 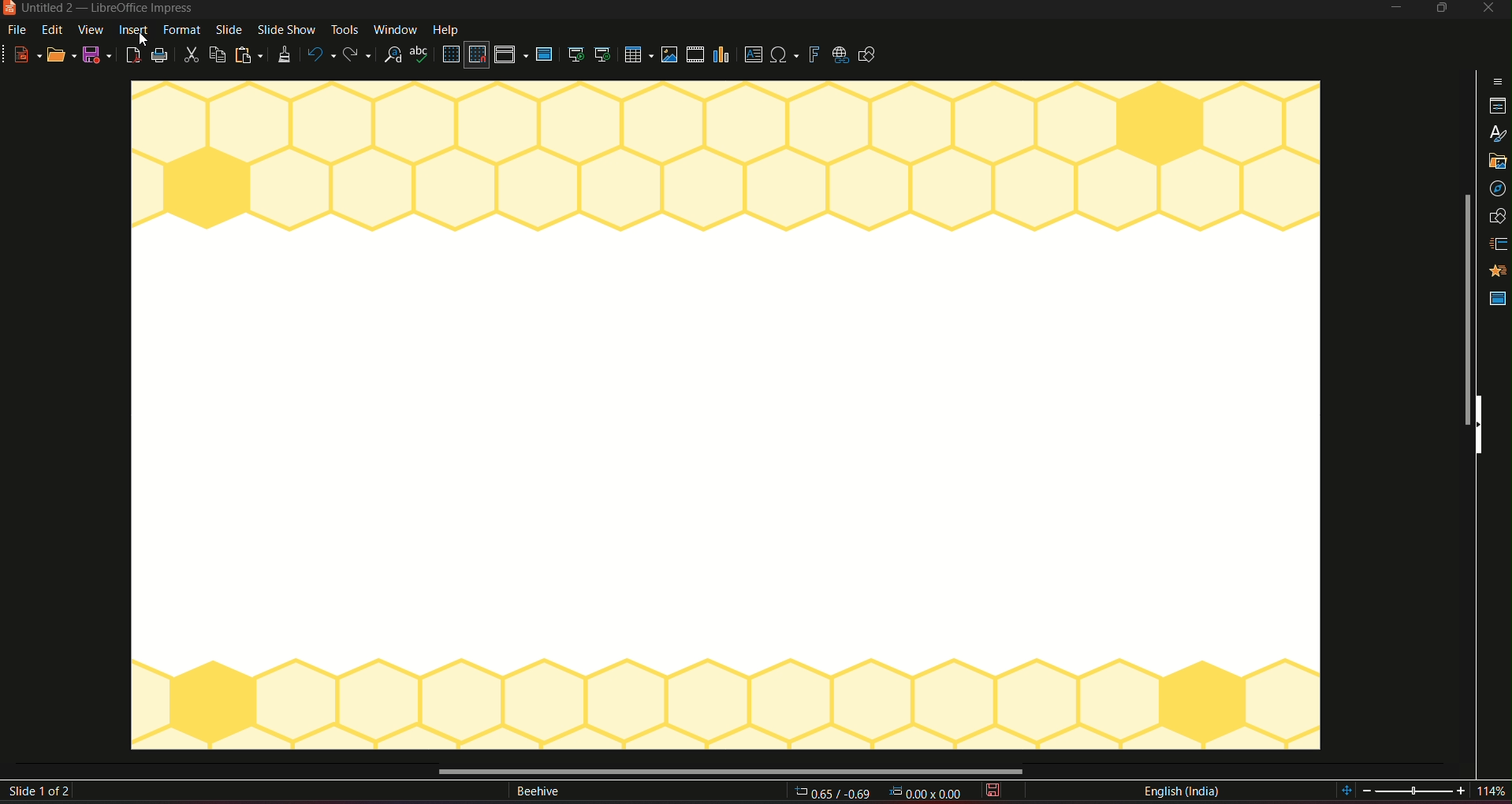 What do you see at coordinates (248, 54) in the screenshot?
I see `paste` at bounding box center [248, 54].